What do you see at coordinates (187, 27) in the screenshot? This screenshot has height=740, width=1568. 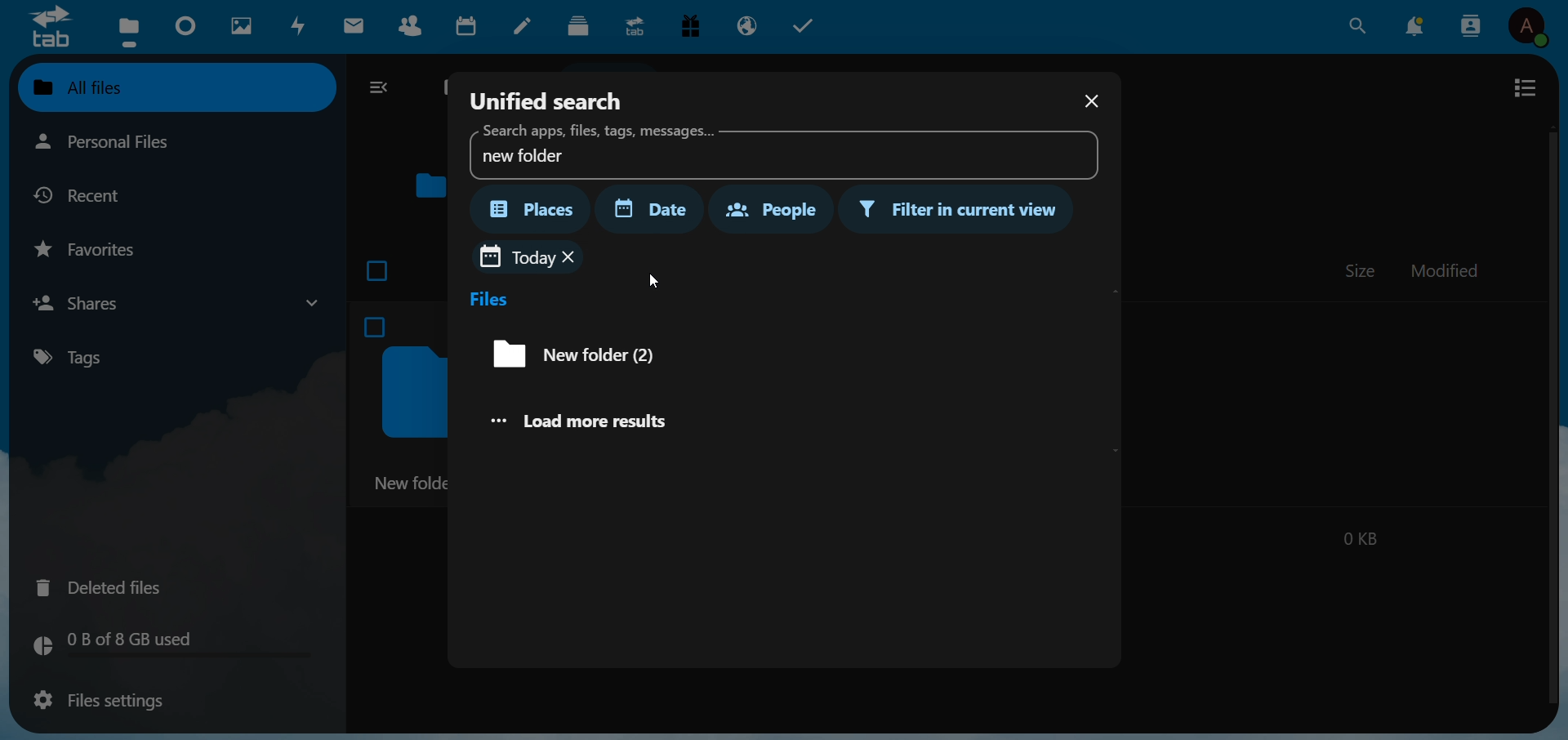 I see `dashboard` at bounding box center [187, 27].